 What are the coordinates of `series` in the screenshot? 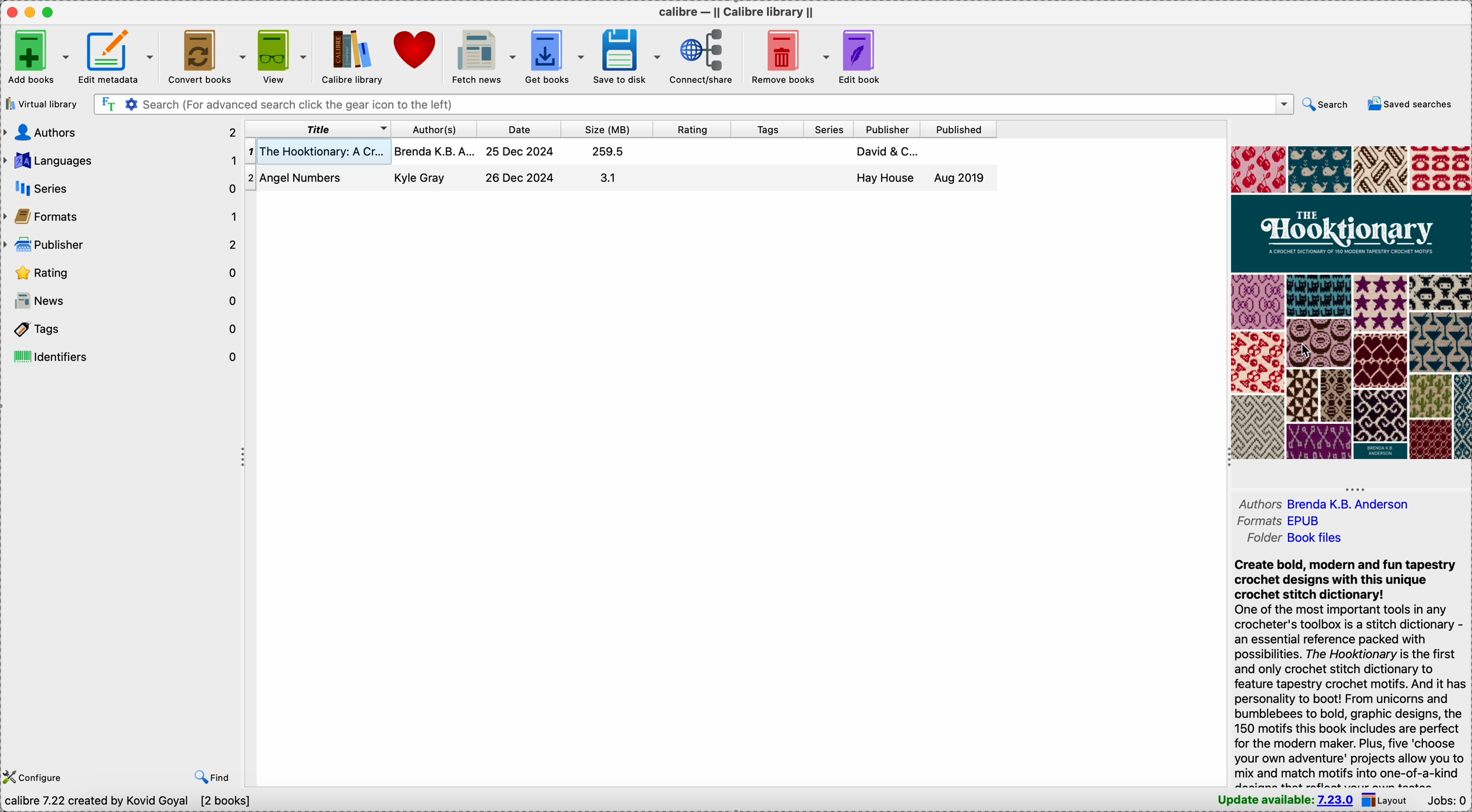 It's located at (119, 189).